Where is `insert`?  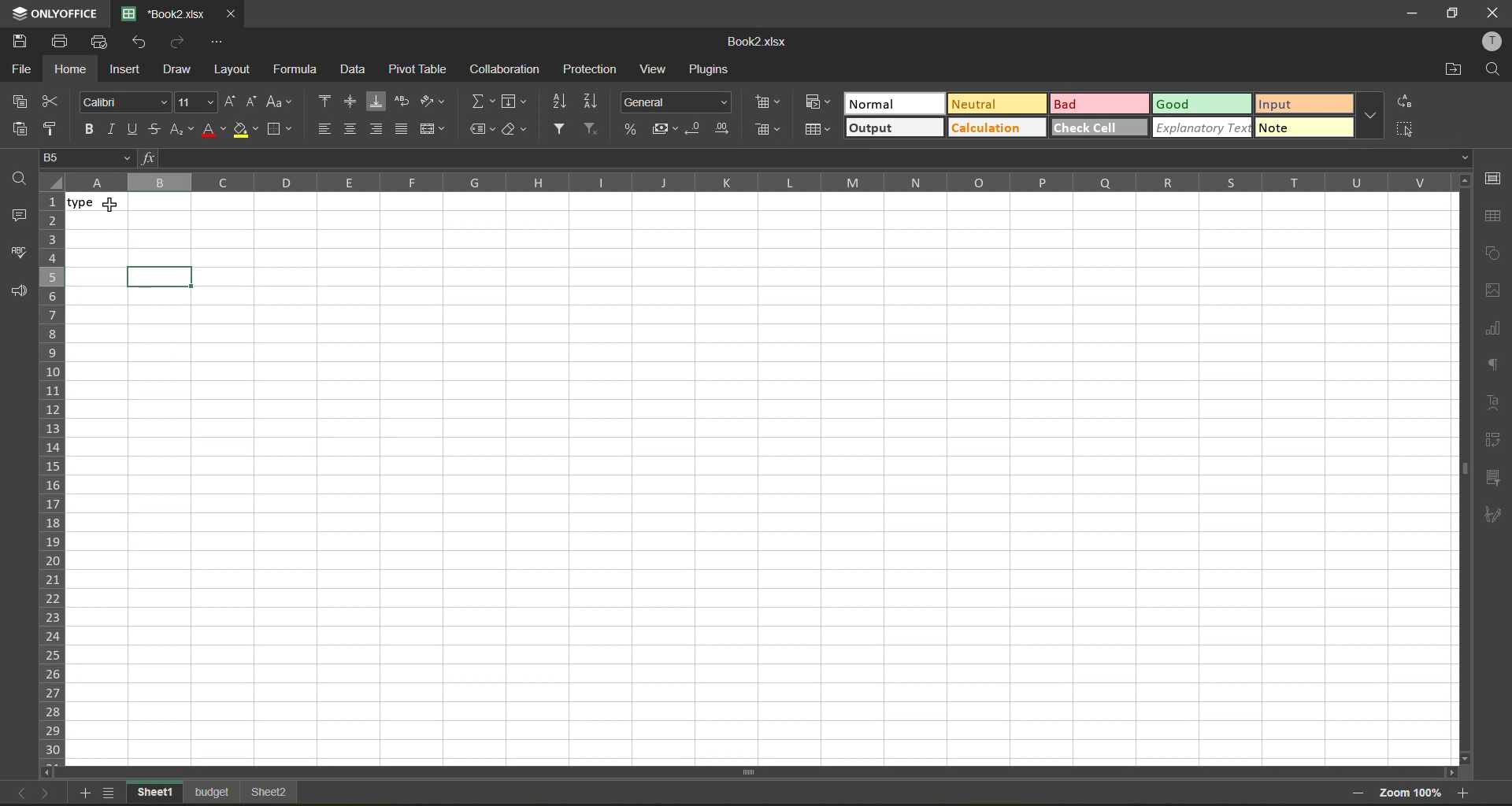
insert is located at coordinates (130, 70).